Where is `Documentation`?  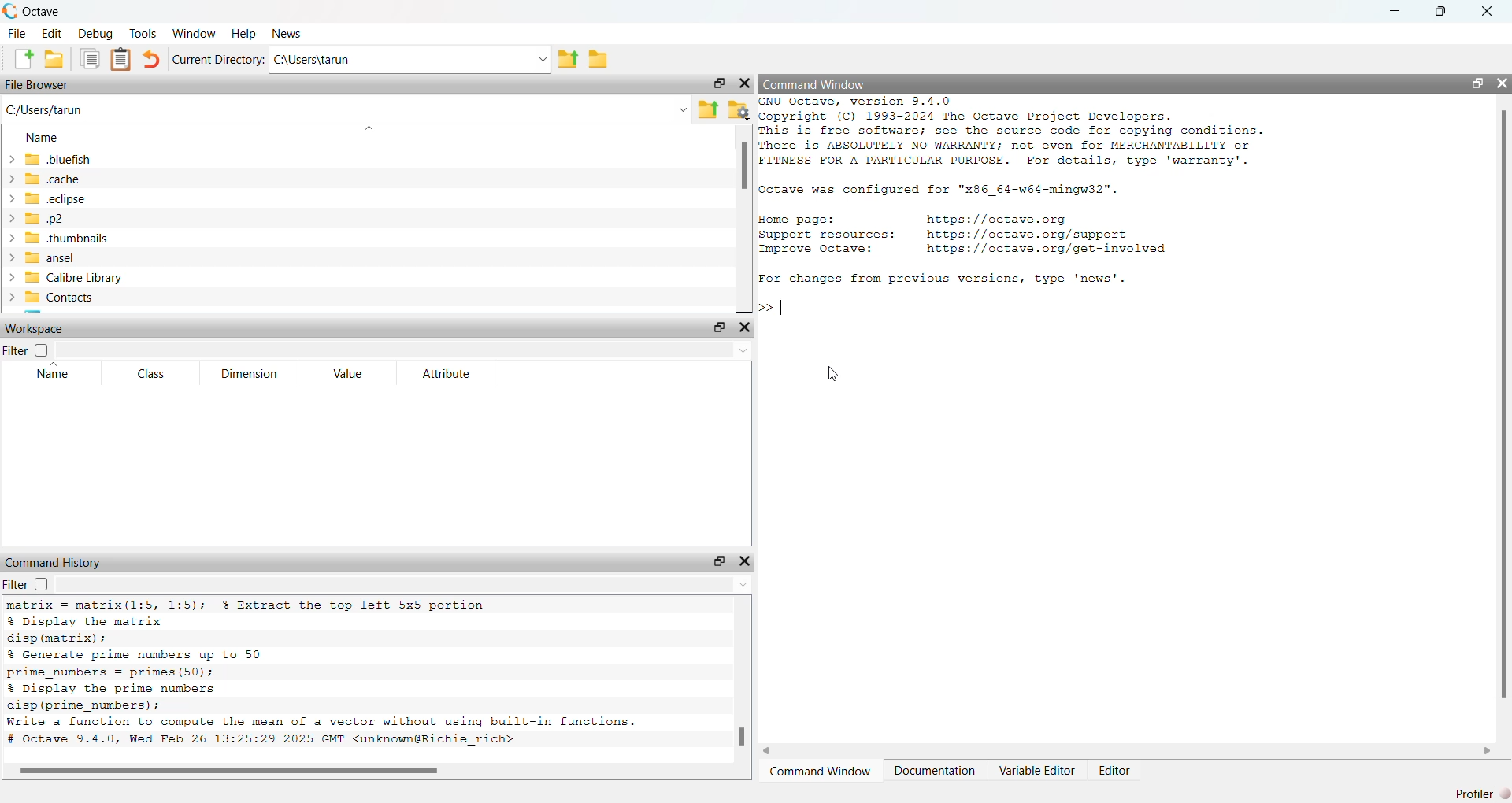
Documentation is located at coordinates (937, 771).